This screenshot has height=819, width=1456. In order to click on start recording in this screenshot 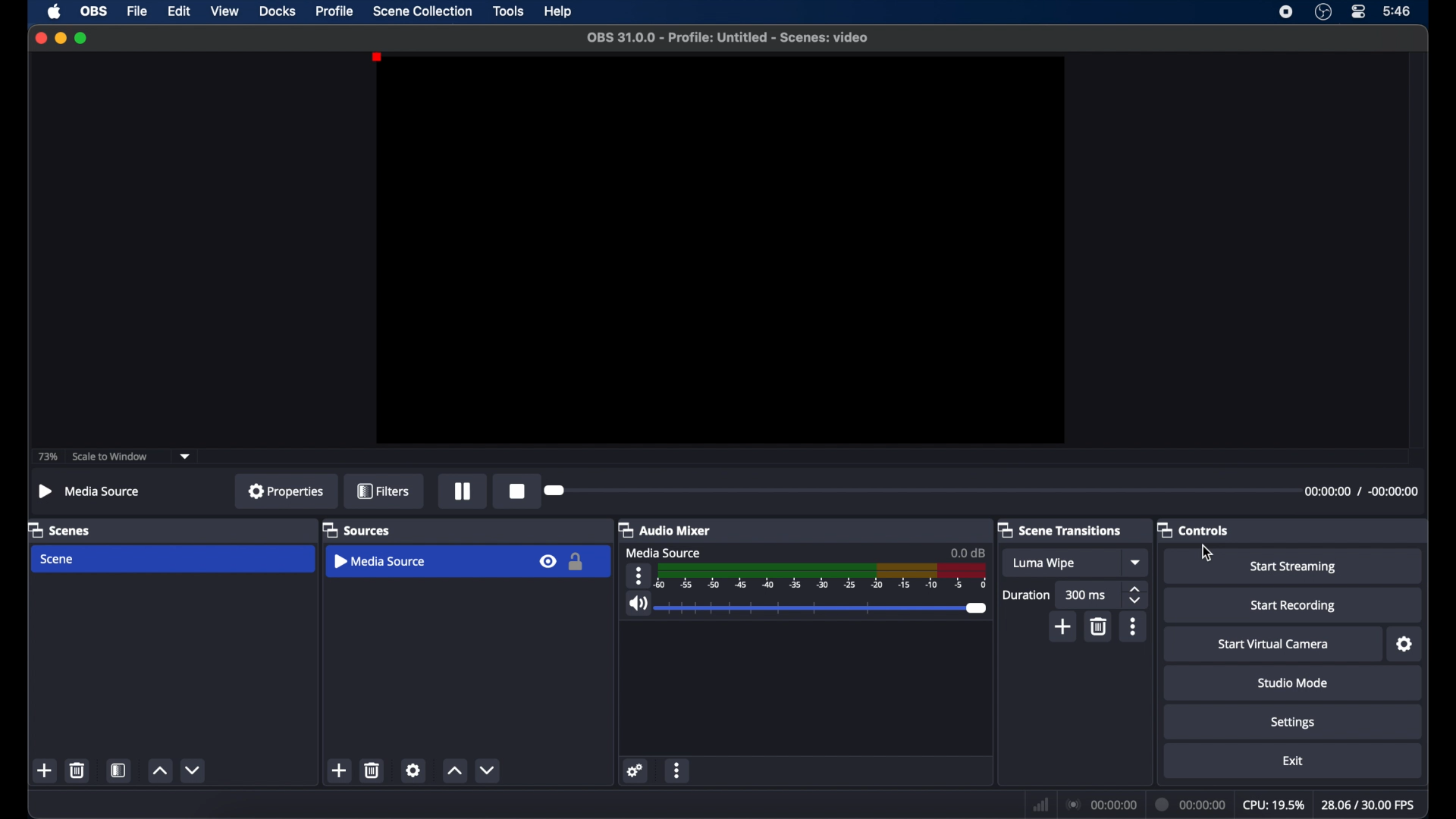, I will do `click(1295, 606)`.